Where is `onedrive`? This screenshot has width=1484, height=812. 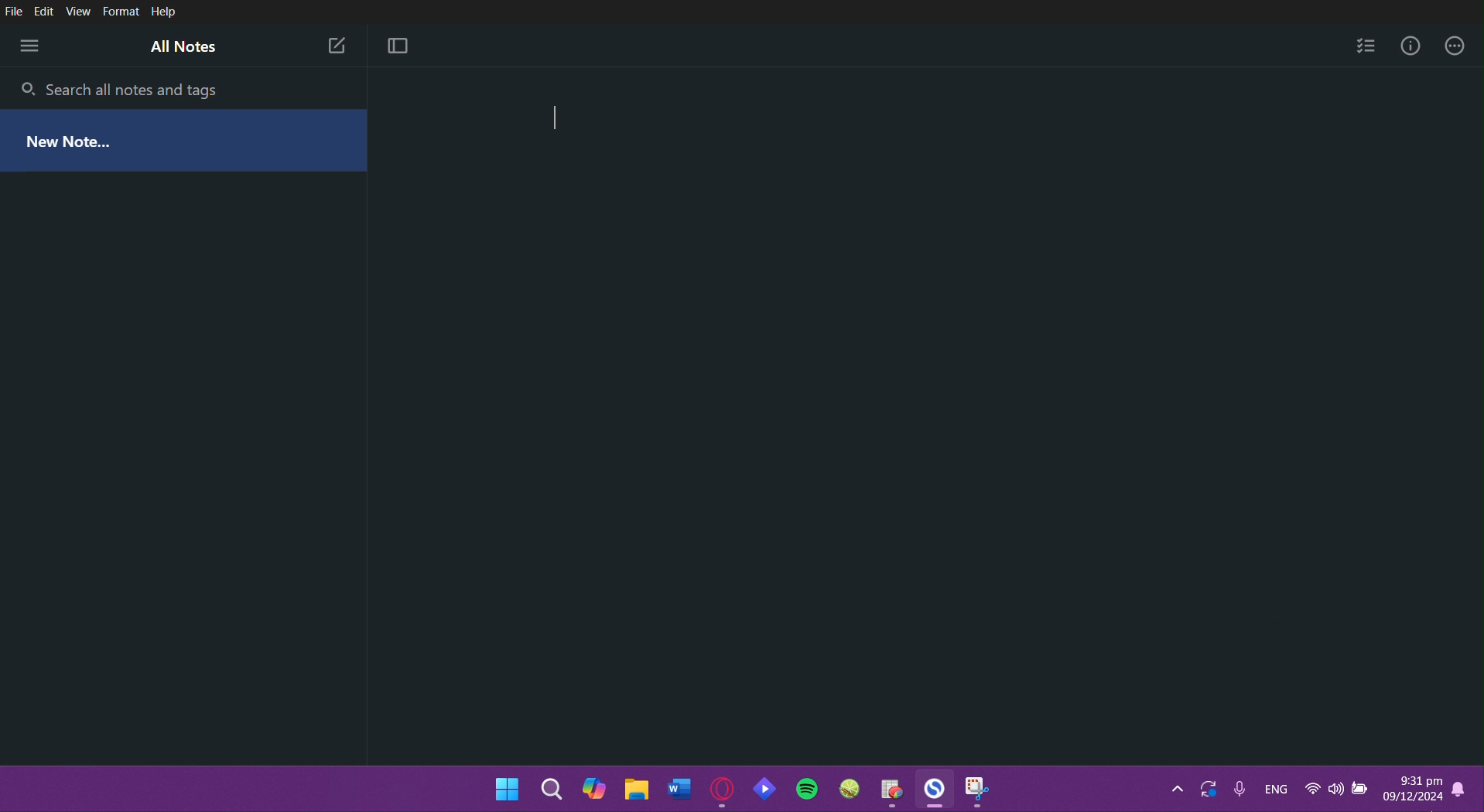 onedrive is located at coordinates (1209, 788).